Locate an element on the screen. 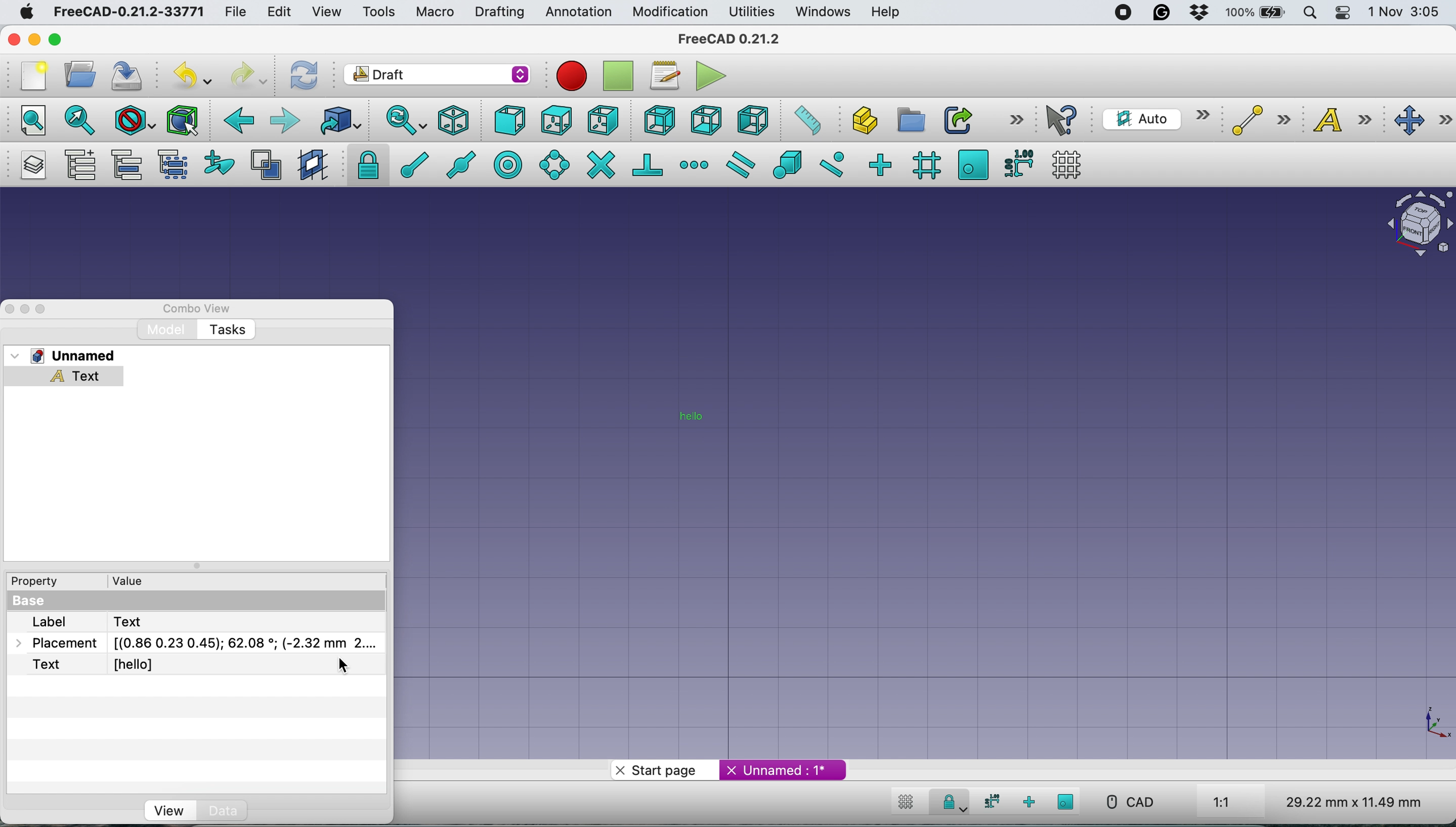  snap ortho is located at coordinates (1032, 801).